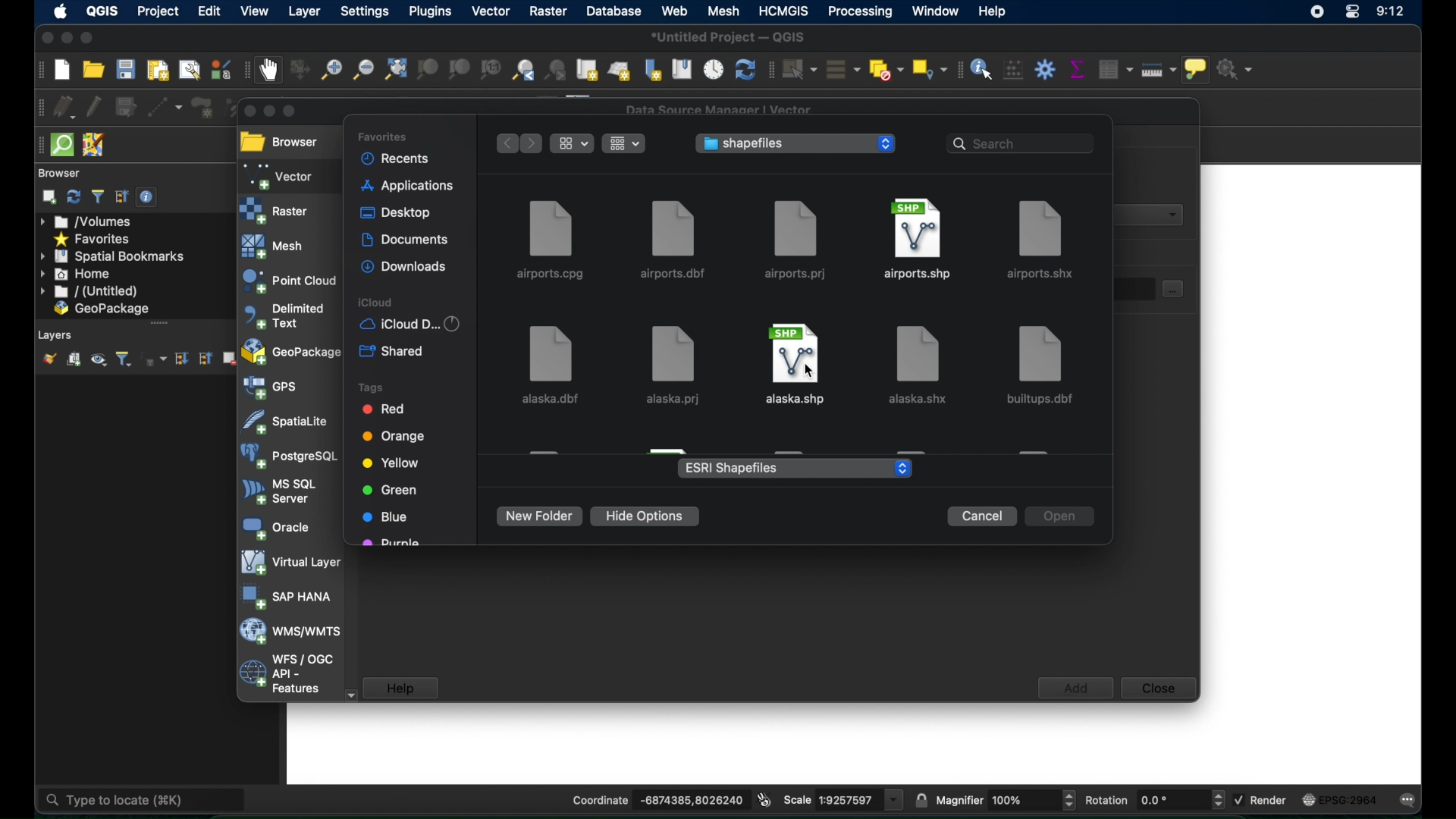 The width and height of the screenshot is (1456, 819). I want to click on show layout manager, so click(188, 69).